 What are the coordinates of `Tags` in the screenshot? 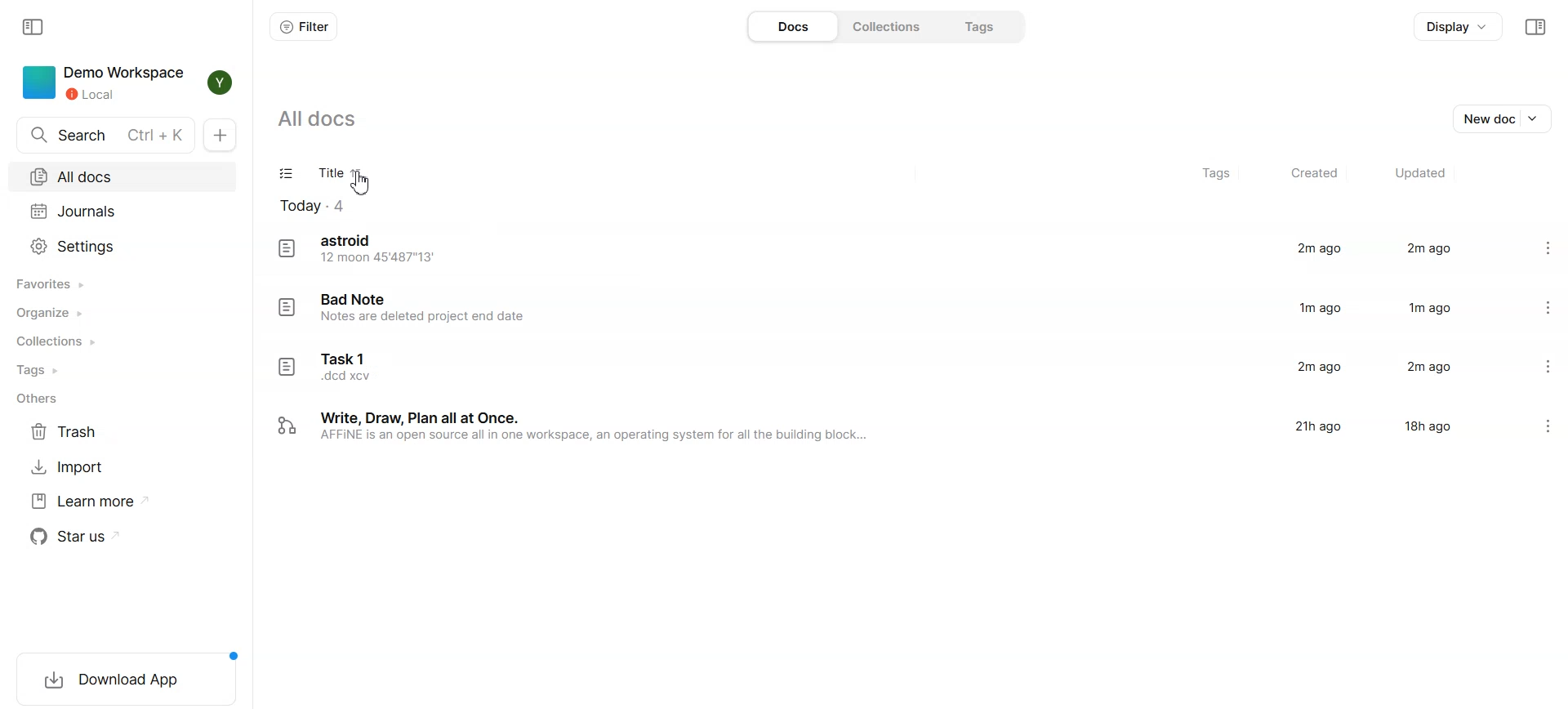 It's located at (1212, 174).